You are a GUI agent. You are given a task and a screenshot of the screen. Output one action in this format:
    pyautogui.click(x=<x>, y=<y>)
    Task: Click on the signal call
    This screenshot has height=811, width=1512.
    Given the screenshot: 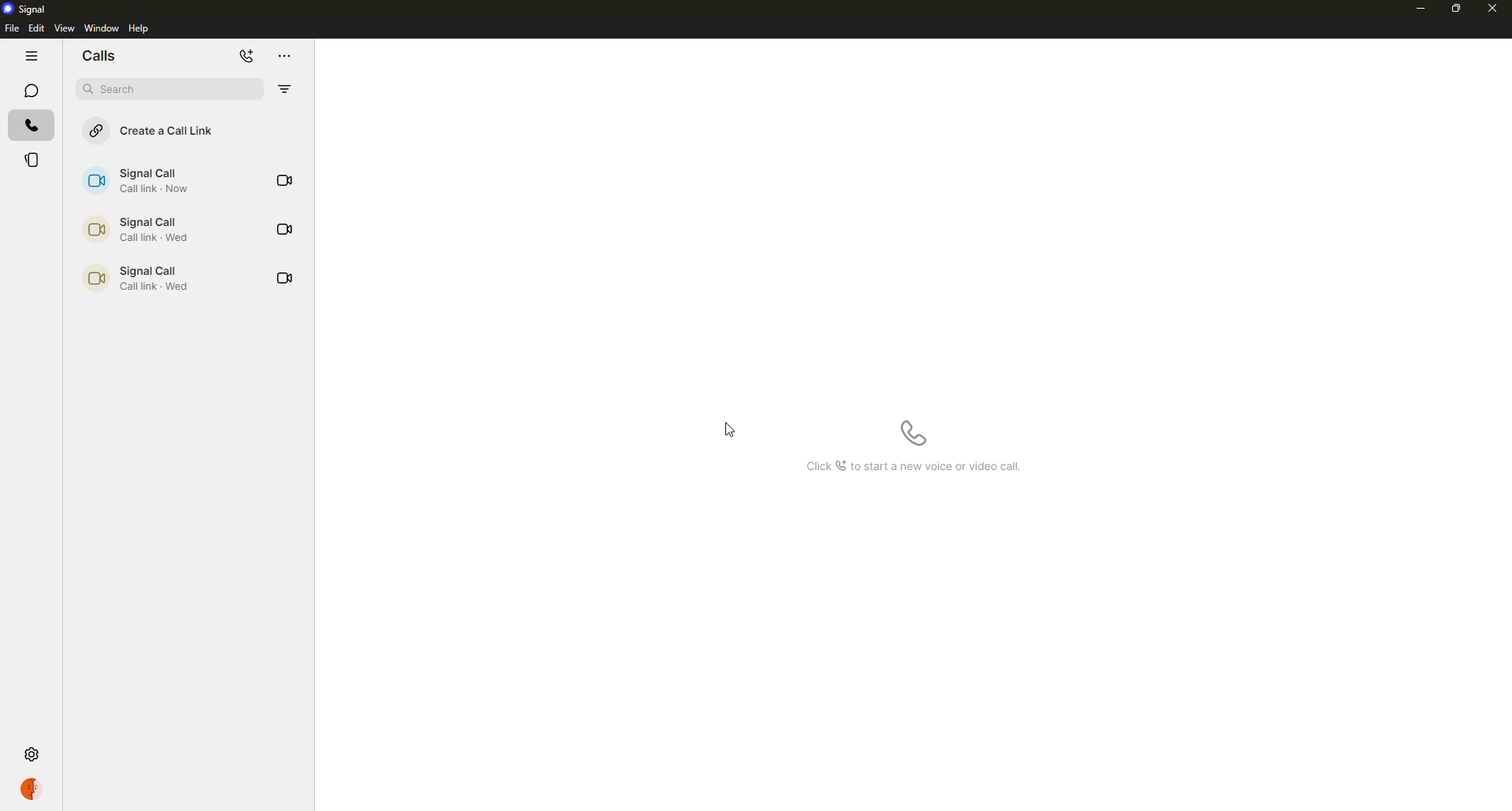 What is the action you would take?
    pyautogui.click(x=135, y=277)
    